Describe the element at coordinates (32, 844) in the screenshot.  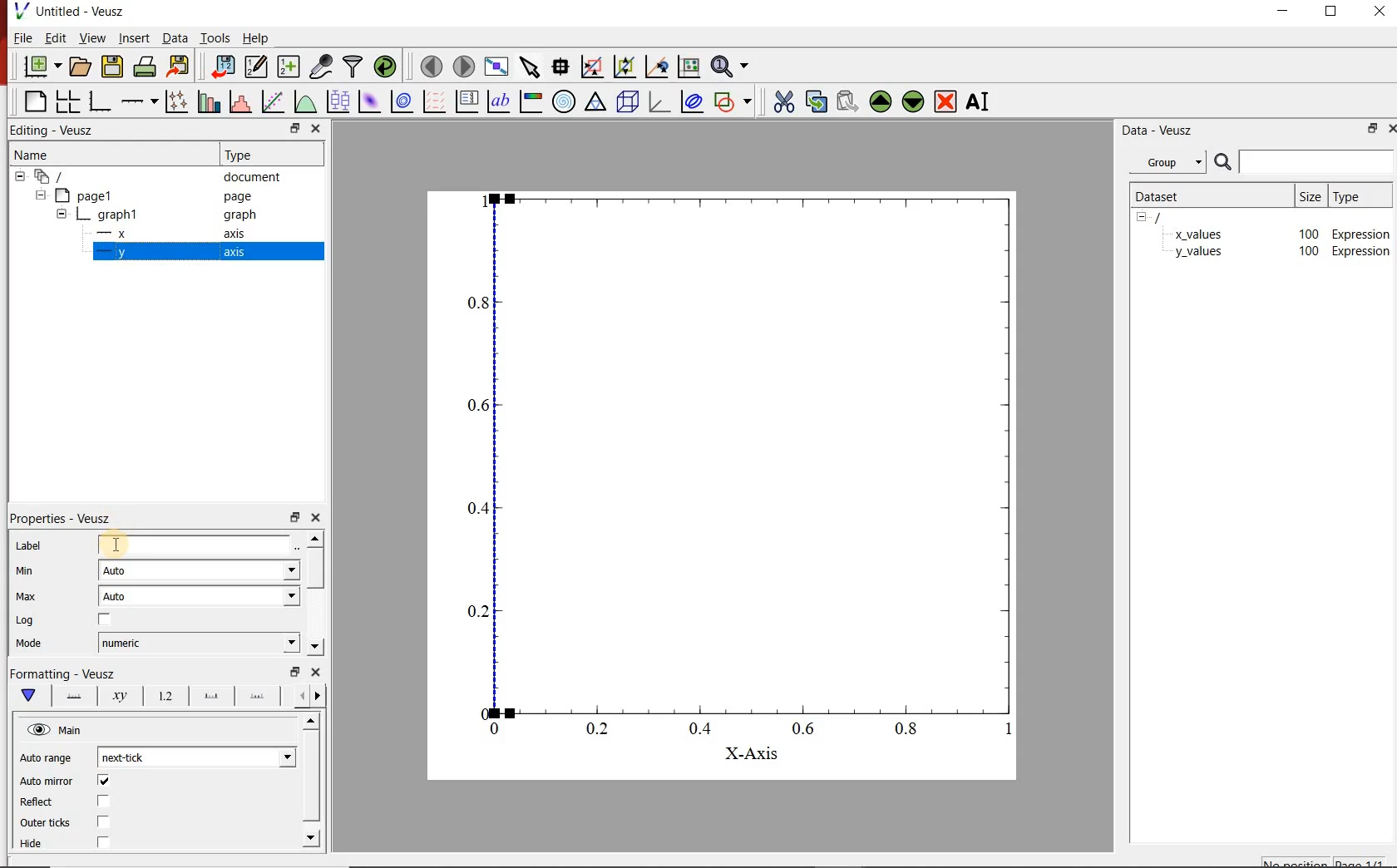
I see `Hide` at that location.